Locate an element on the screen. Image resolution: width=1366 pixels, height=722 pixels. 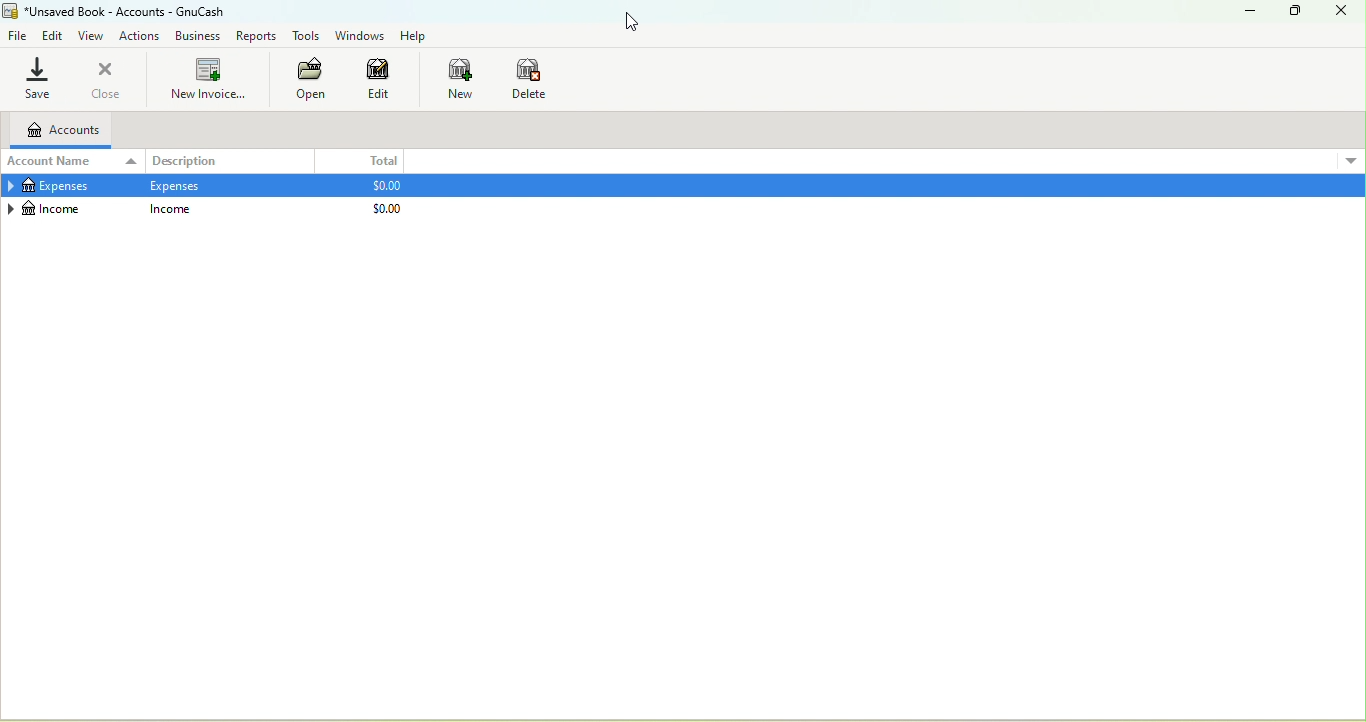
Total is located at coordinates (363, 161).